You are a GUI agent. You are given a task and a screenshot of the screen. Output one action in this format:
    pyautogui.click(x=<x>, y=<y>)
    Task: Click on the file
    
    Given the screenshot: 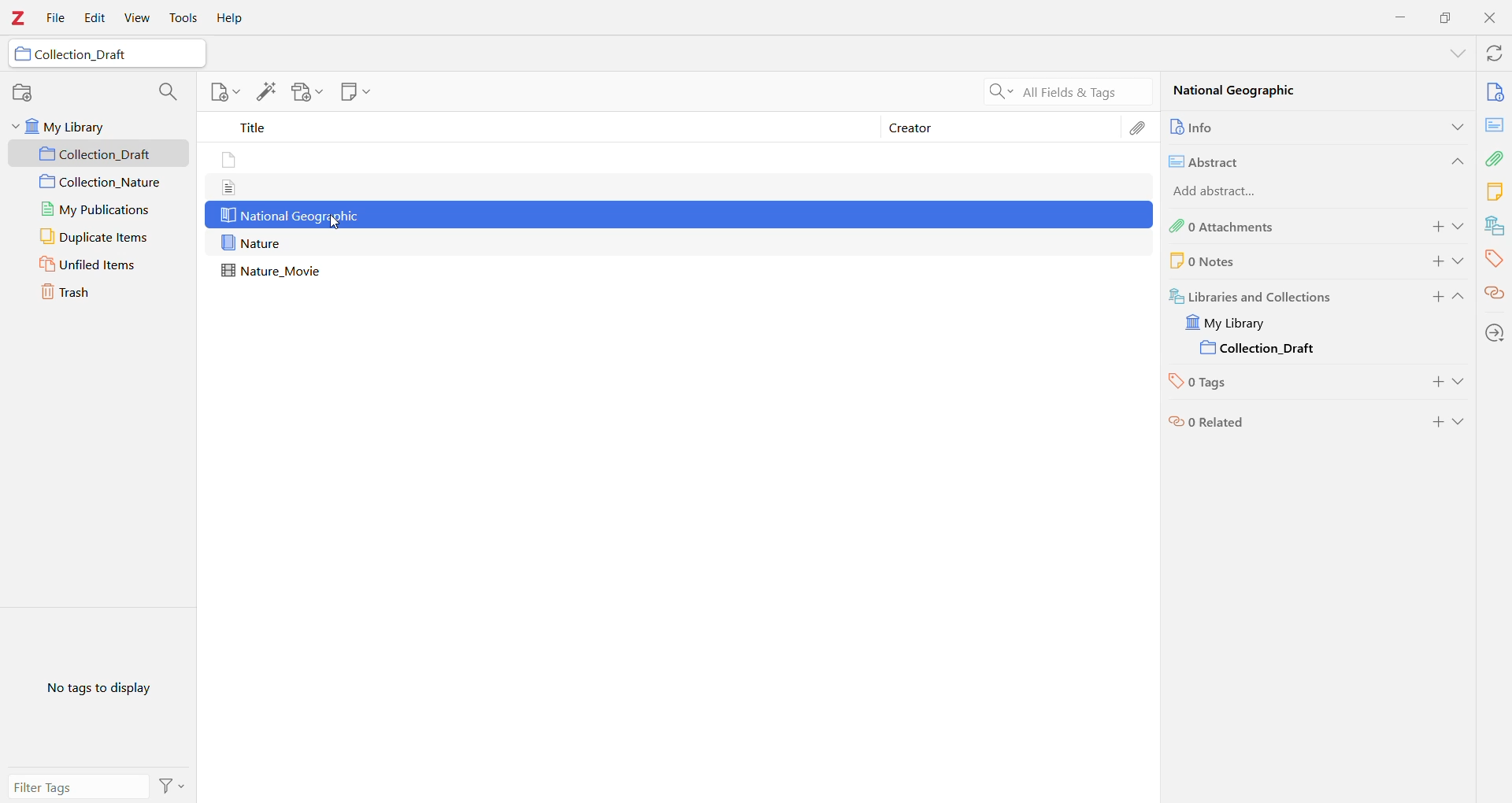 What is the action you would take?
    pyautogui.click(x=228, y=187)
    